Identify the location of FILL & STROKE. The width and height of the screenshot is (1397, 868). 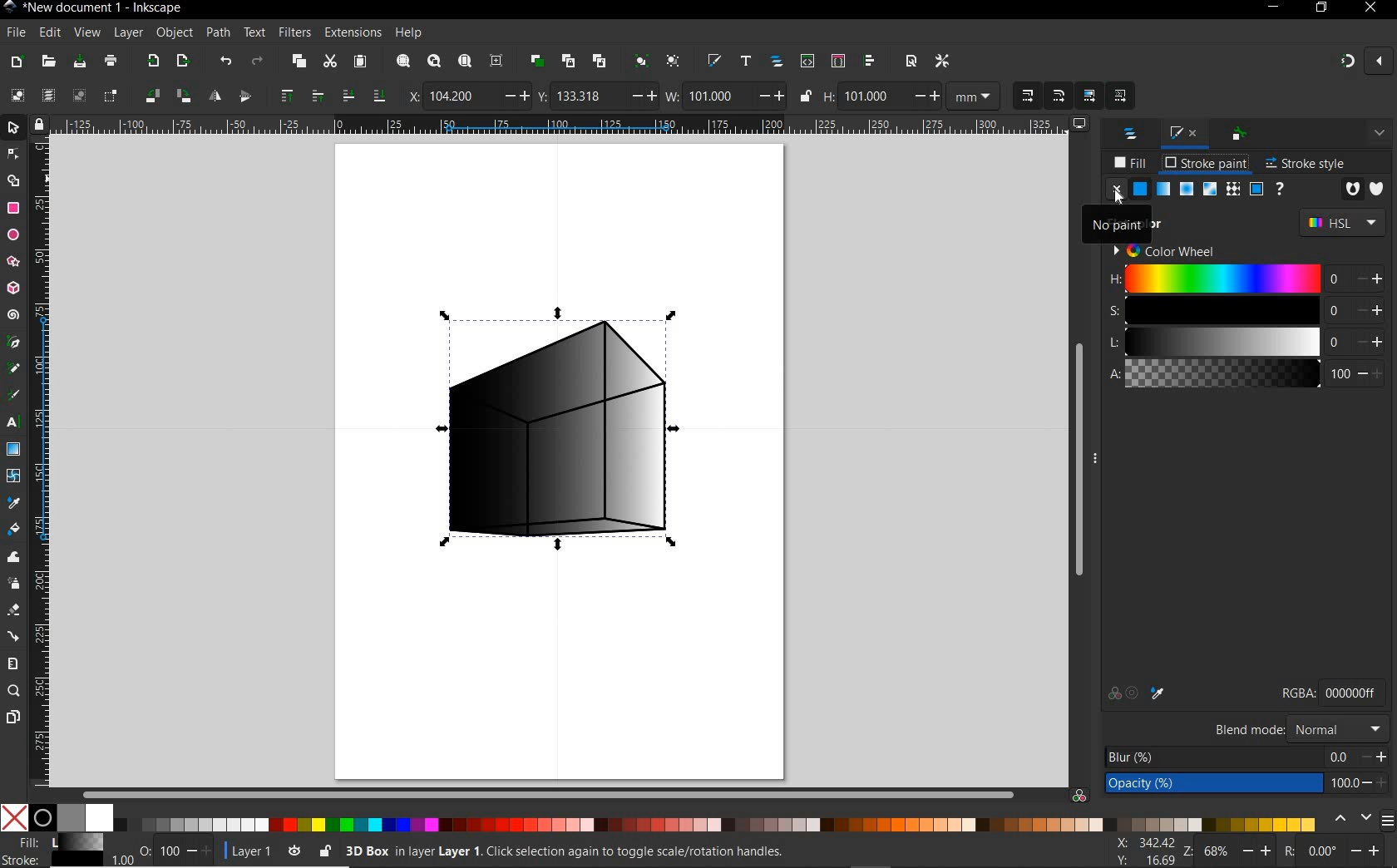
(53, 851).